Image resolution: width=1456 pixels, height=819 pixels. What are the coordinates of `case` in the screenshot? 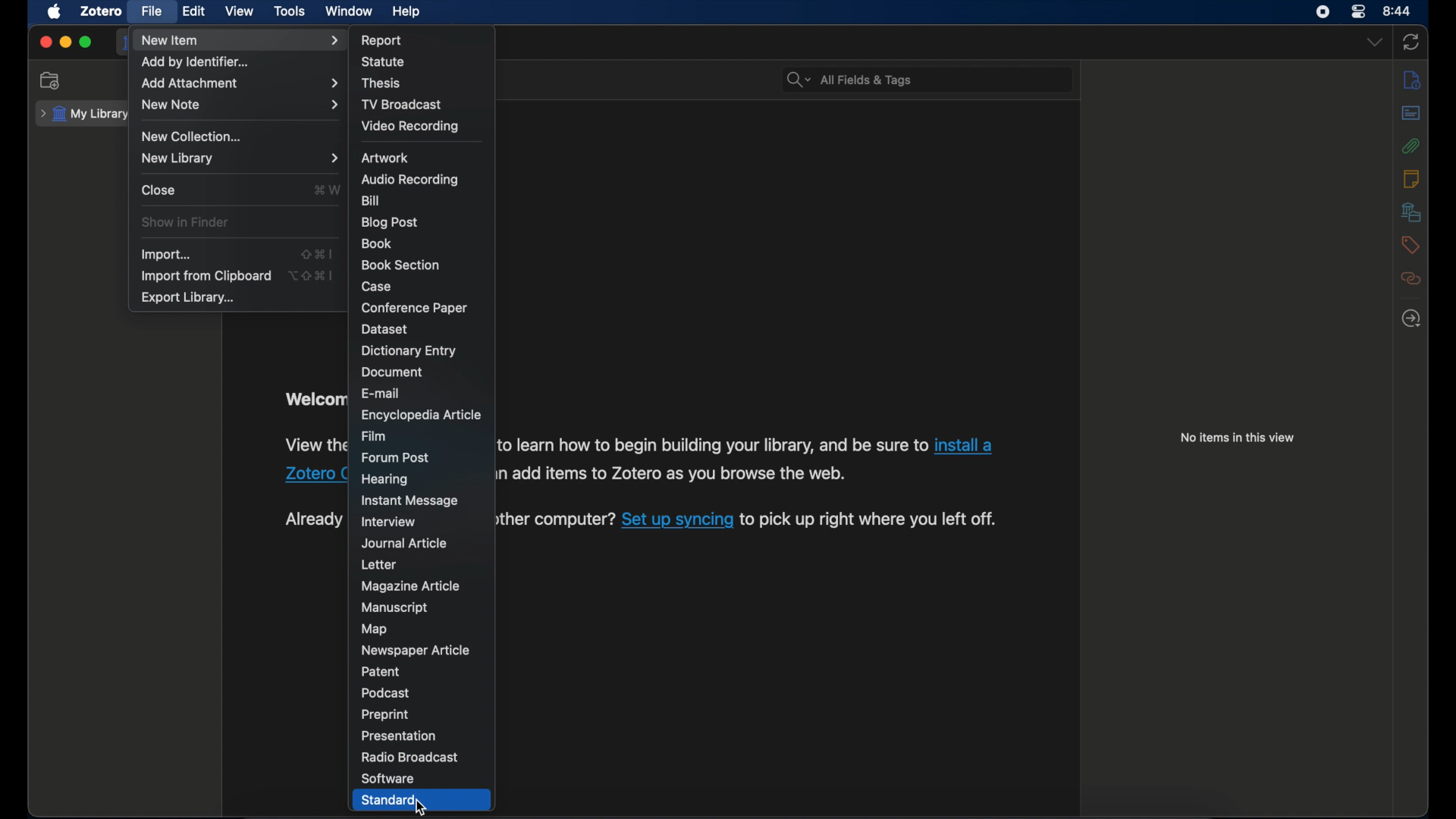 It's located at (378, 286).